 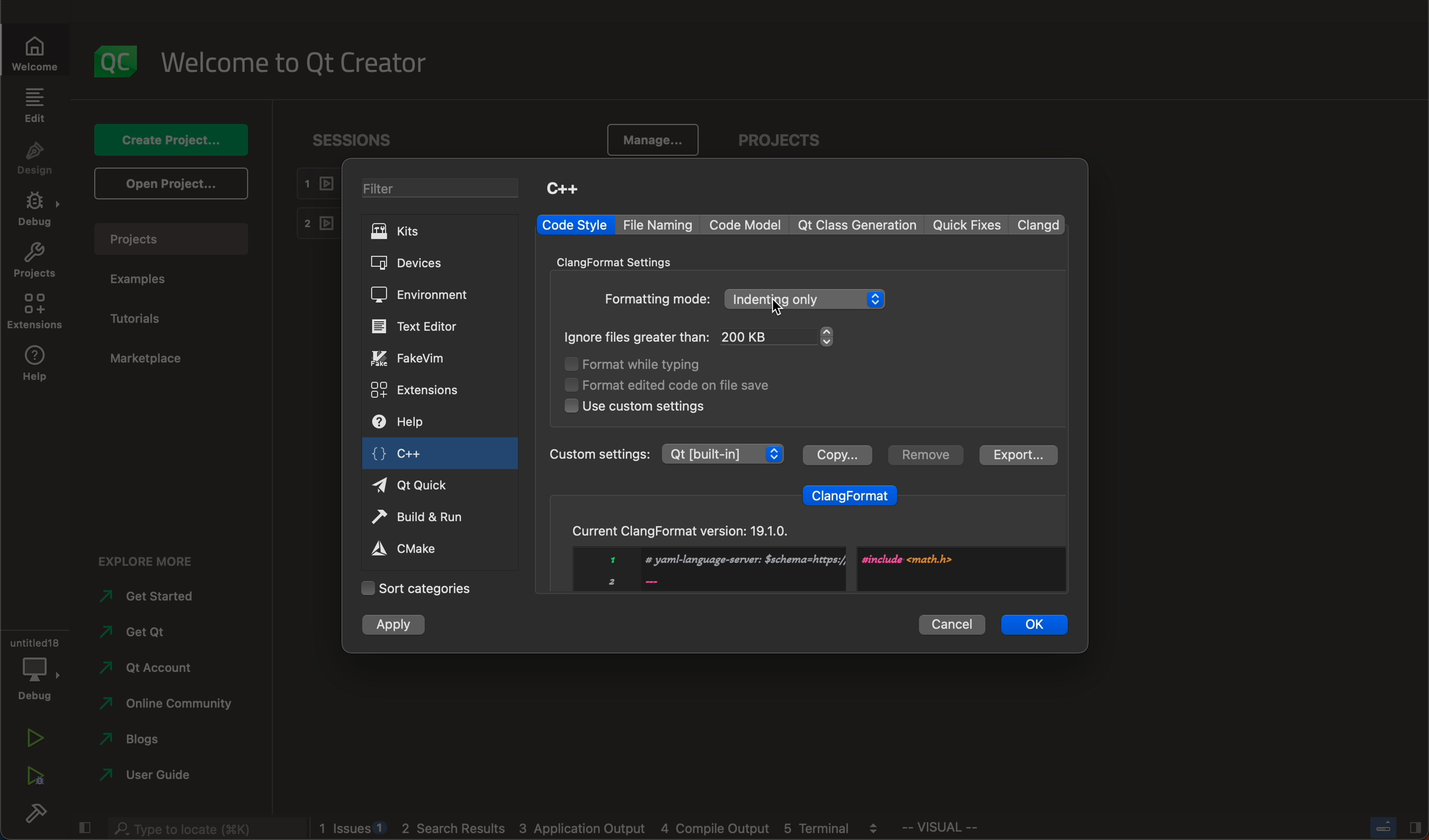 I want to click on logs, so click(x=606, y=829).